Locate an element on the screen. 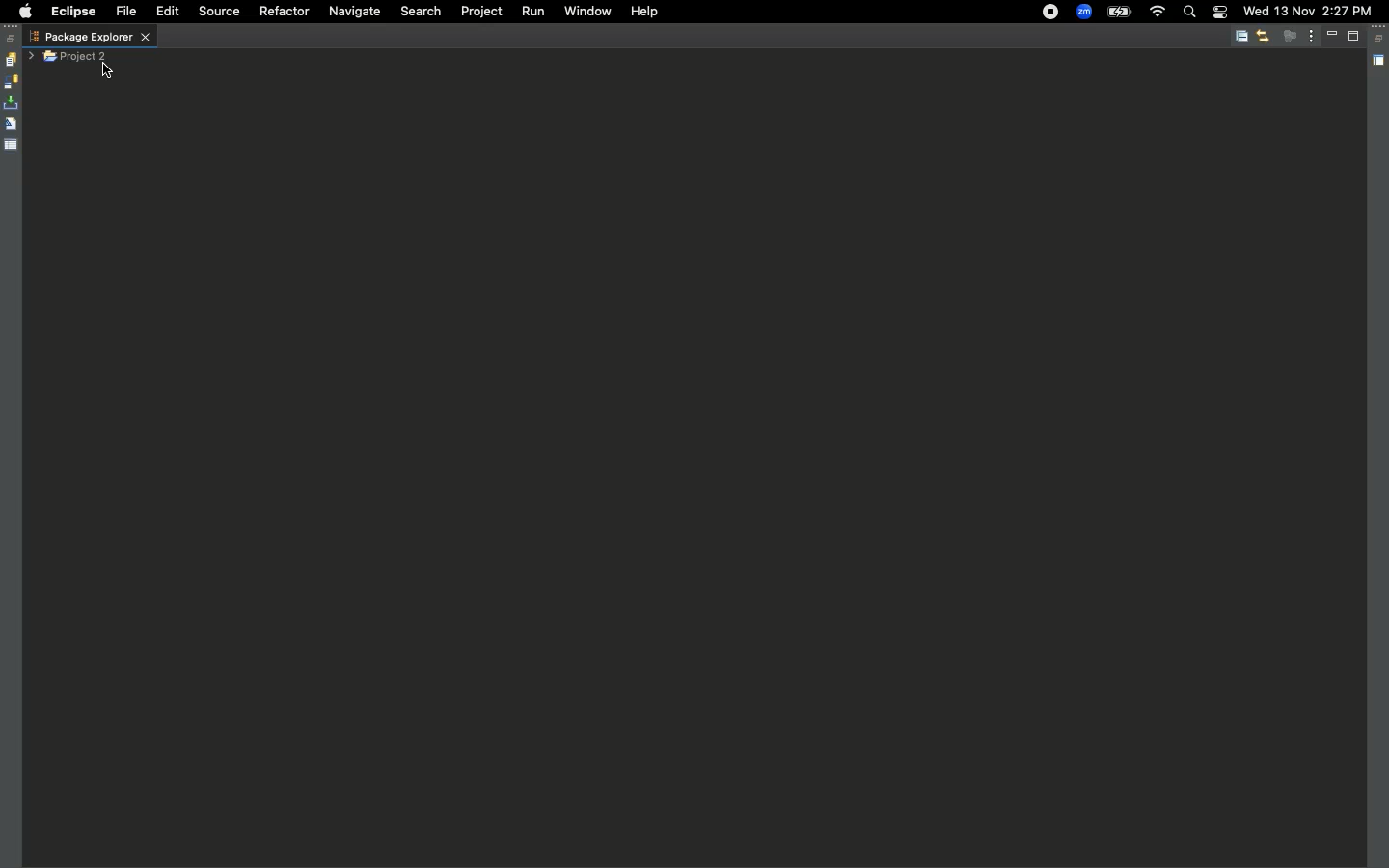 This screenshot has height=868, width=1389. Zoom is located at coordinates (1084, 13).